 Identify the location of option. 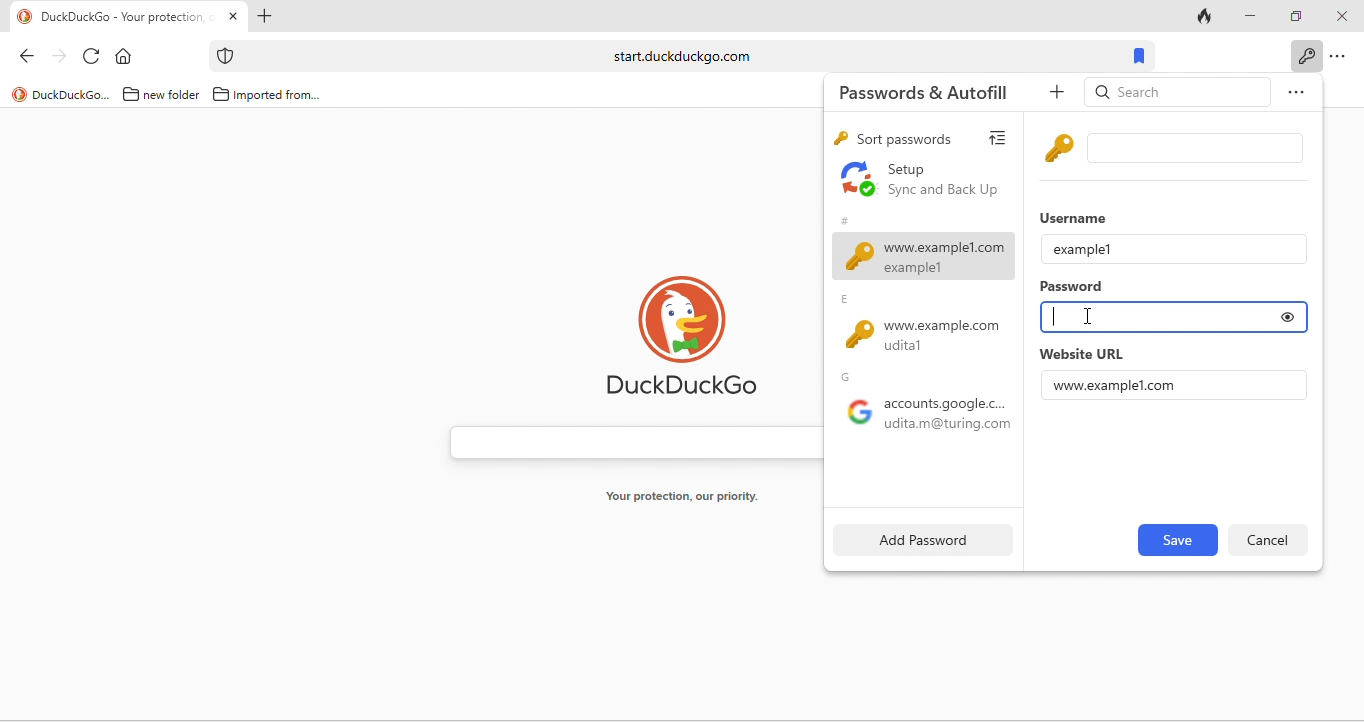
(1340, 57).